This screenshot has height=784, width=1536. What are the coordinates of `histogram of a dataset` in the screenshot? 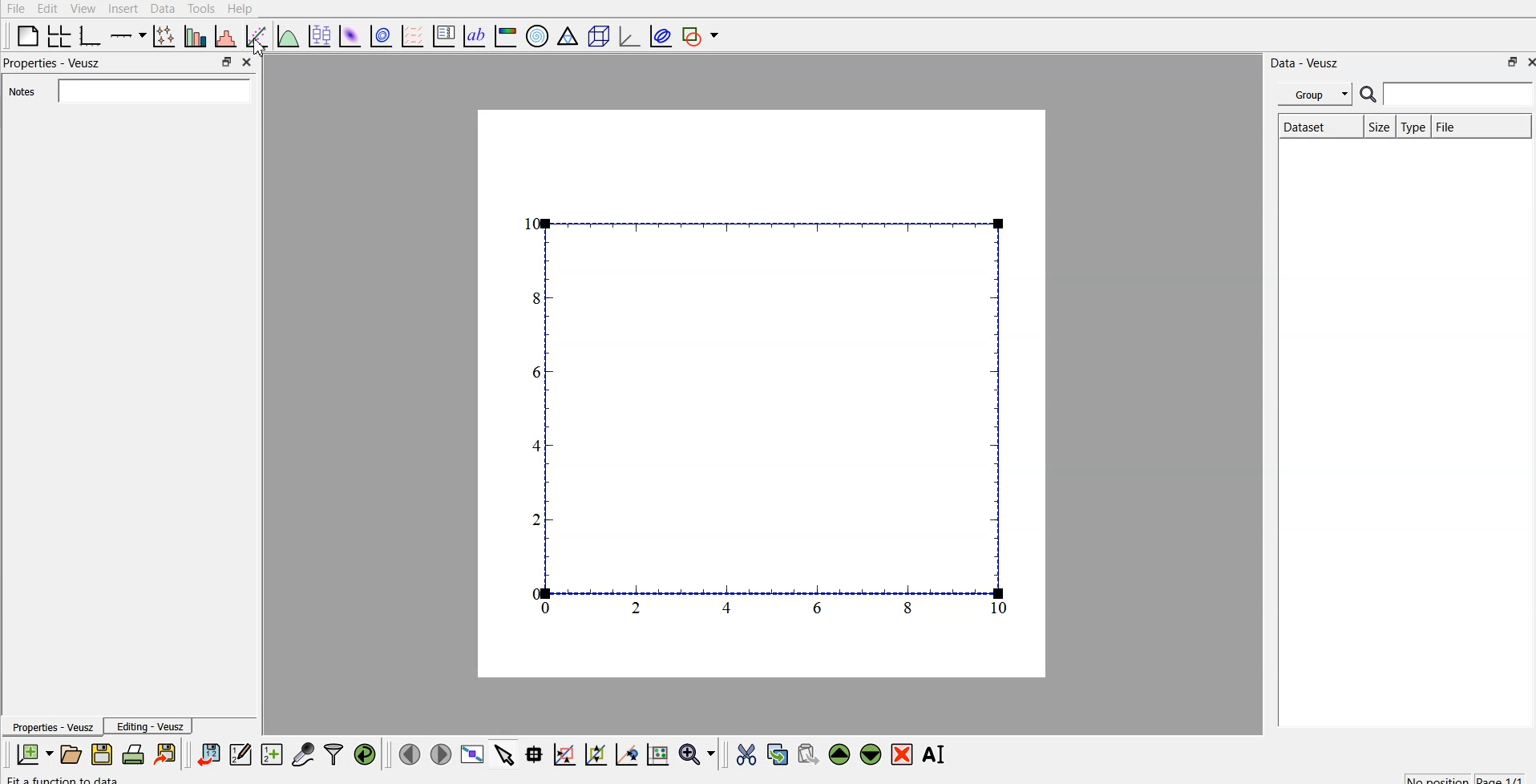 It's located at (224, 36).